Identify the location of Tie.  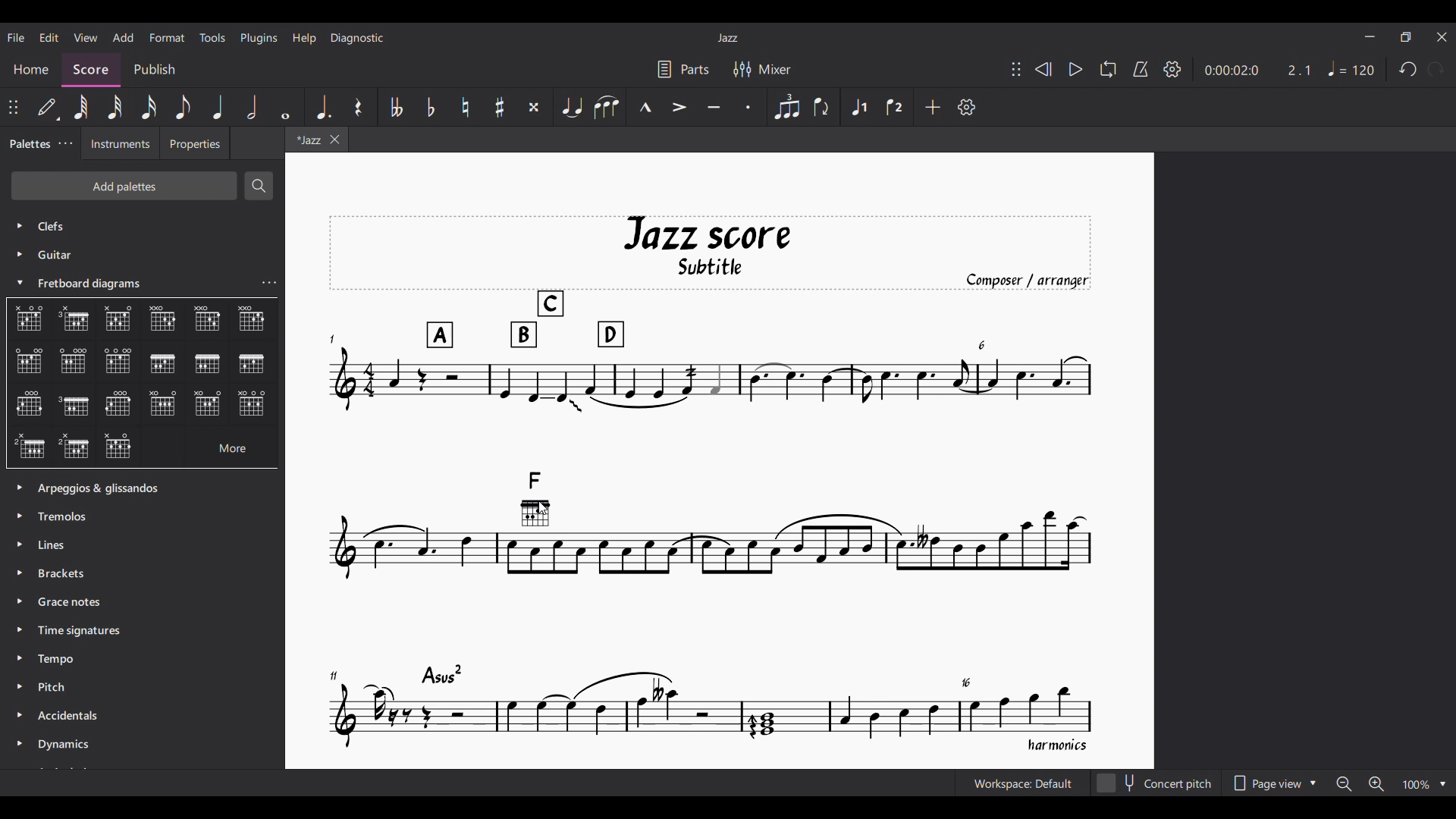
(572, 106).